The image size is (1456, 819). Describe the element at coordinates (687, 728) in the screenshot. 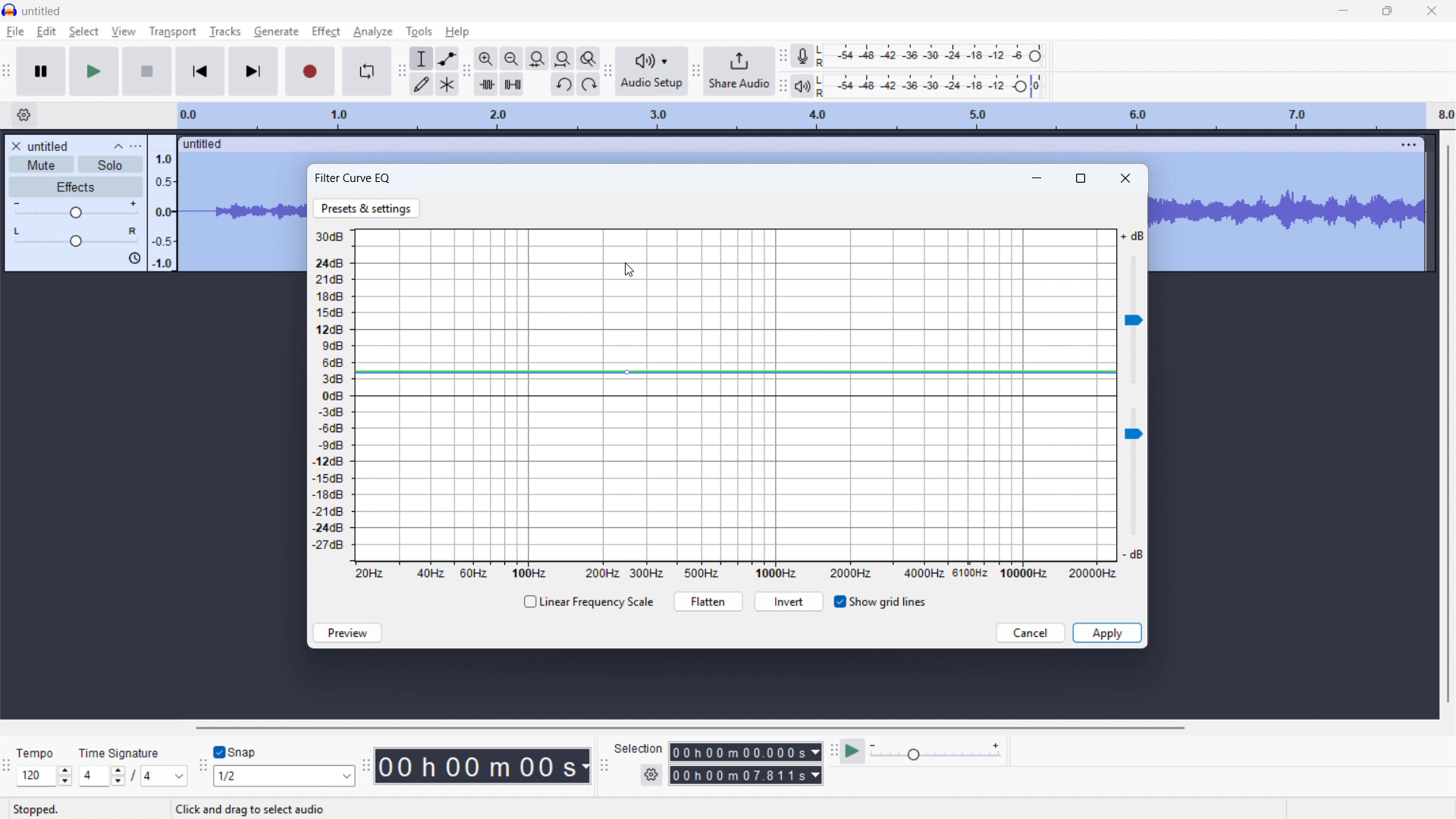

I see `Horizontal scroll bar ` at that location.